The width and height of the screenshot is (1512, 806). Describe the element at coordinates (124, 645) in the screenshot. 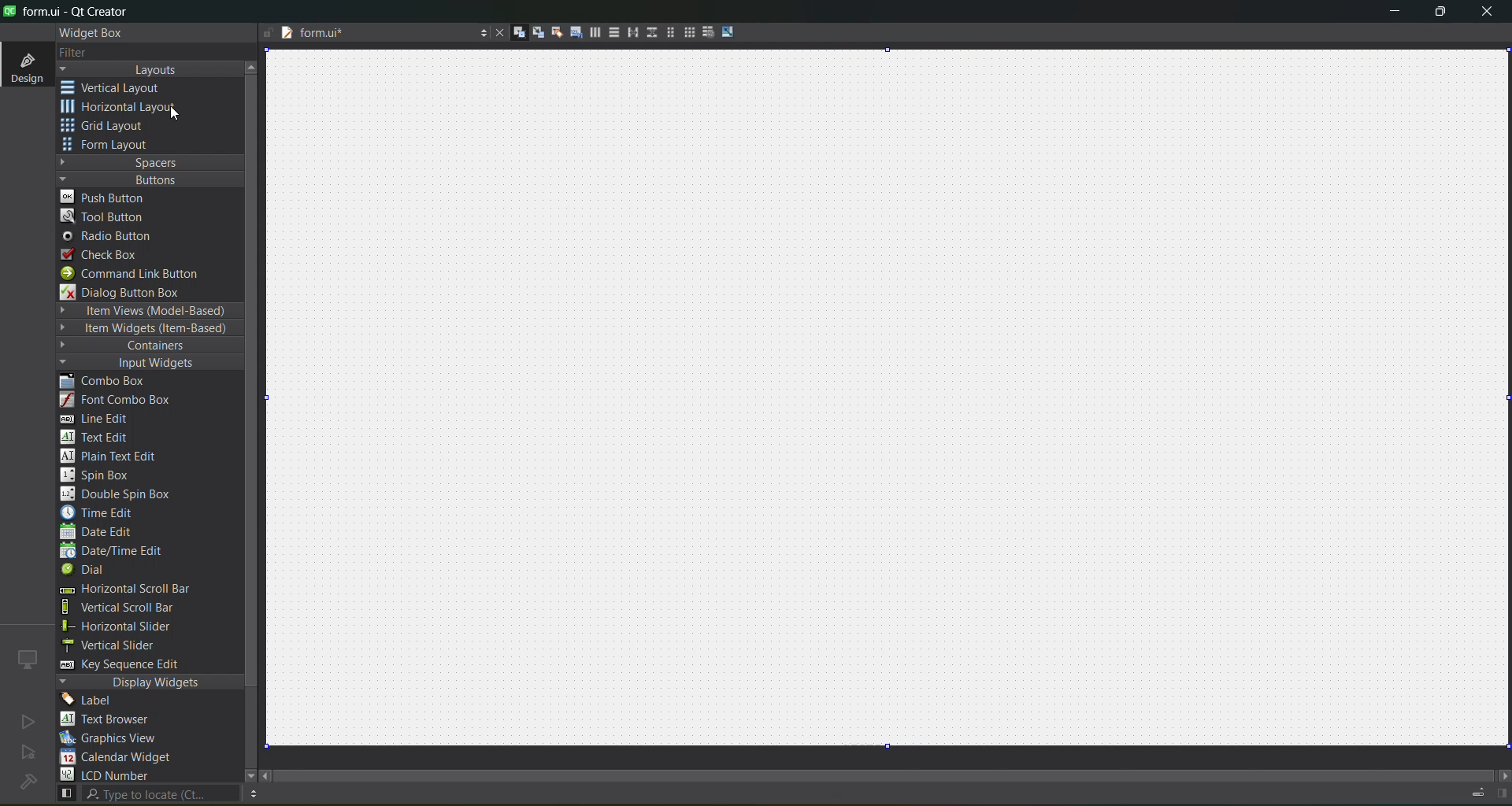

I see `vertical slider` at that location.